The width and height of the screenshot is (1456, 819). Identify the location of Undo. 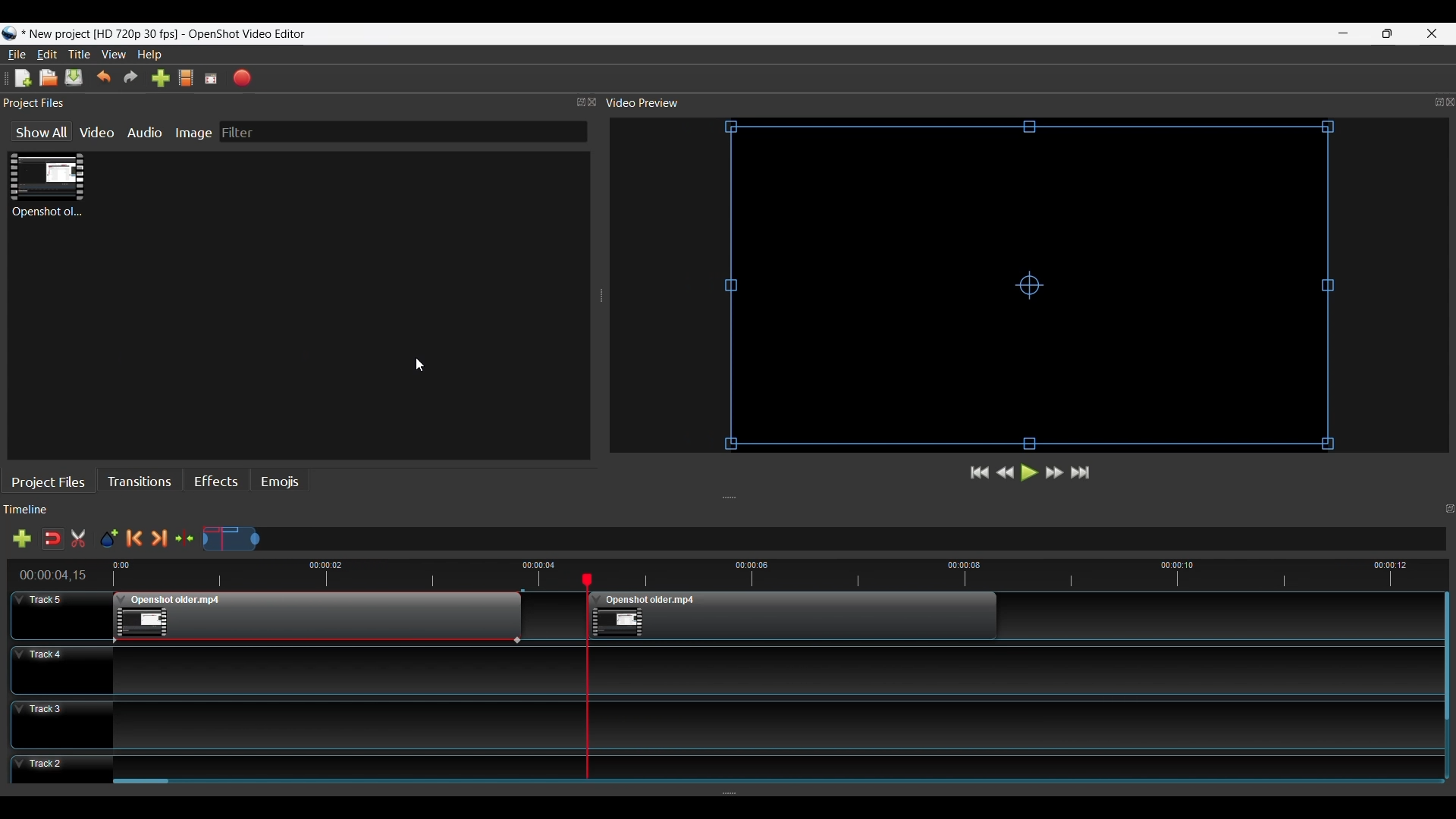
(104, 78).